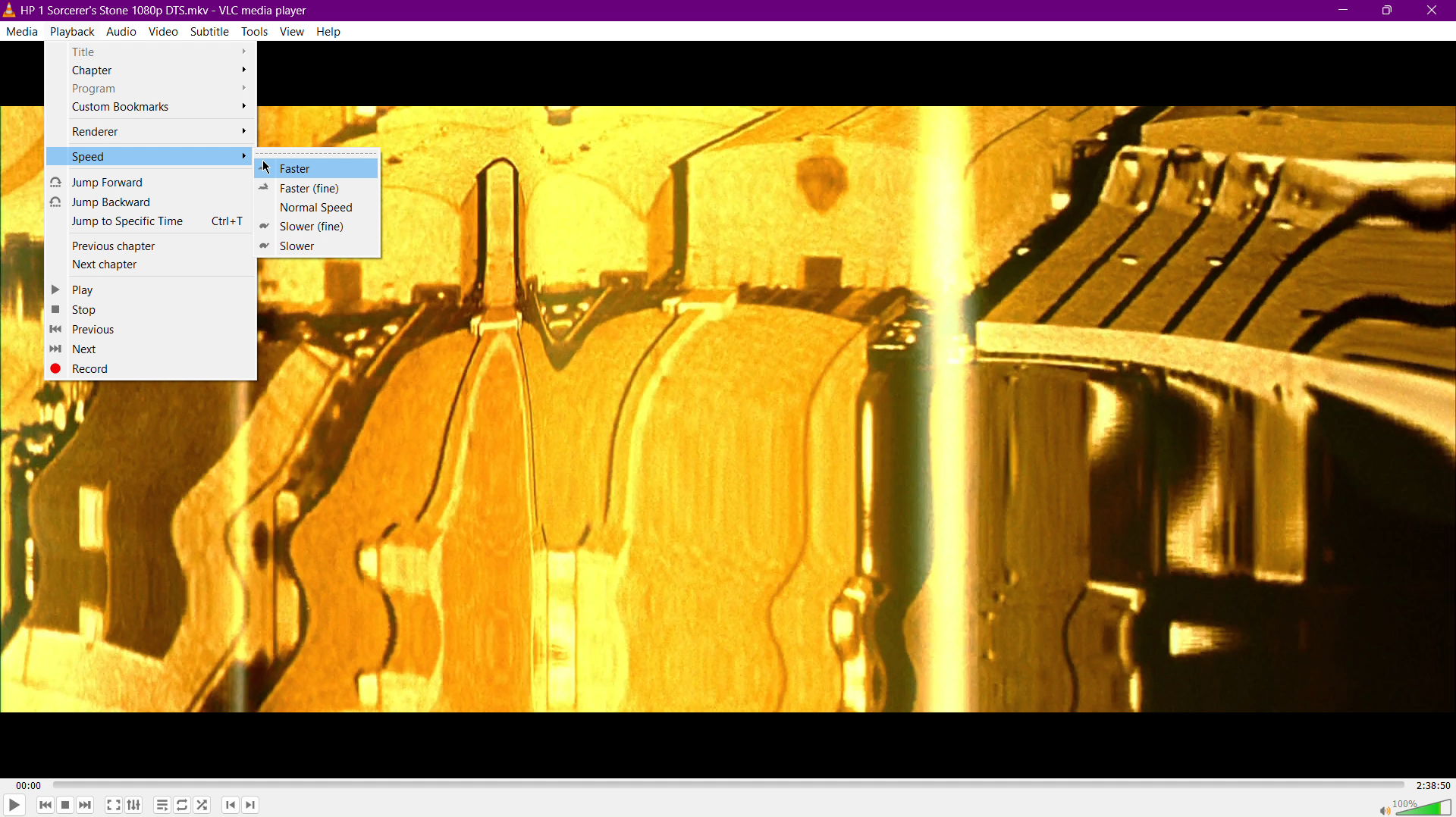 The height and width of the screenshot is (817, 1456). Describe the element at coordinates (31, 784) in the screenshot. I see `00:00` at that location.